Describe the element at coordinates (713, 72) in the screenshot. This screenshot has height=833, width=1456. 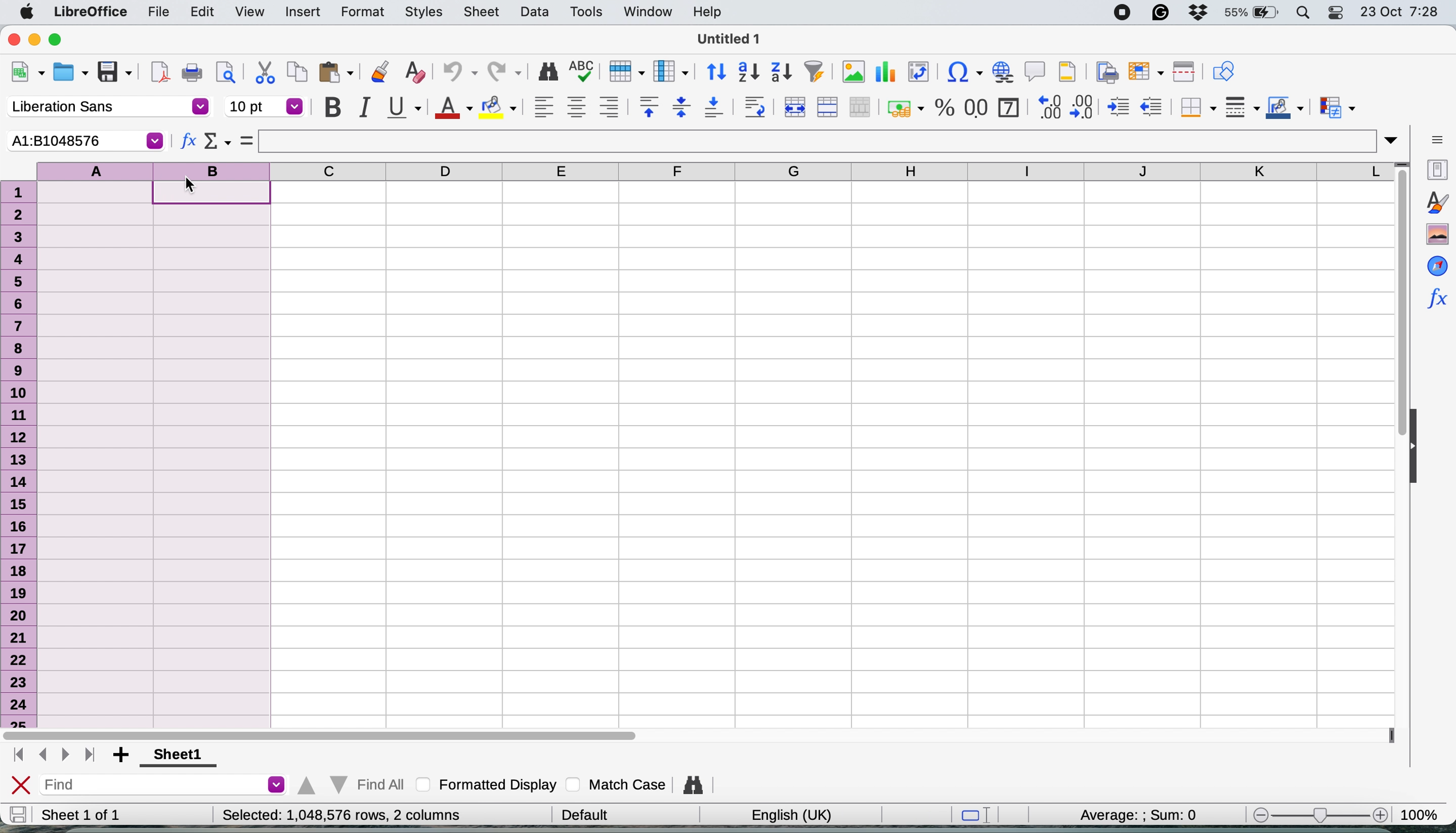
I see `sort` at that location.